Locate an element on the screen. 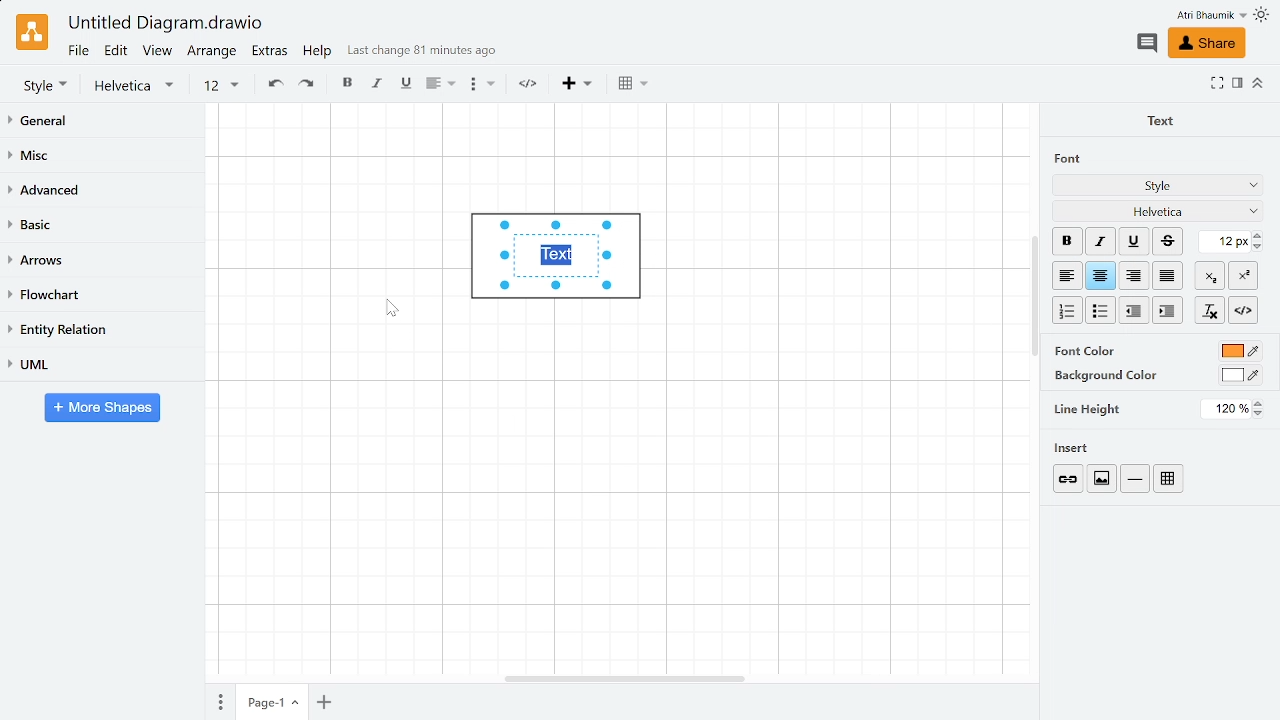 This screenshot has width=1280, height=720. Last change is located at coordinates (422, 55).